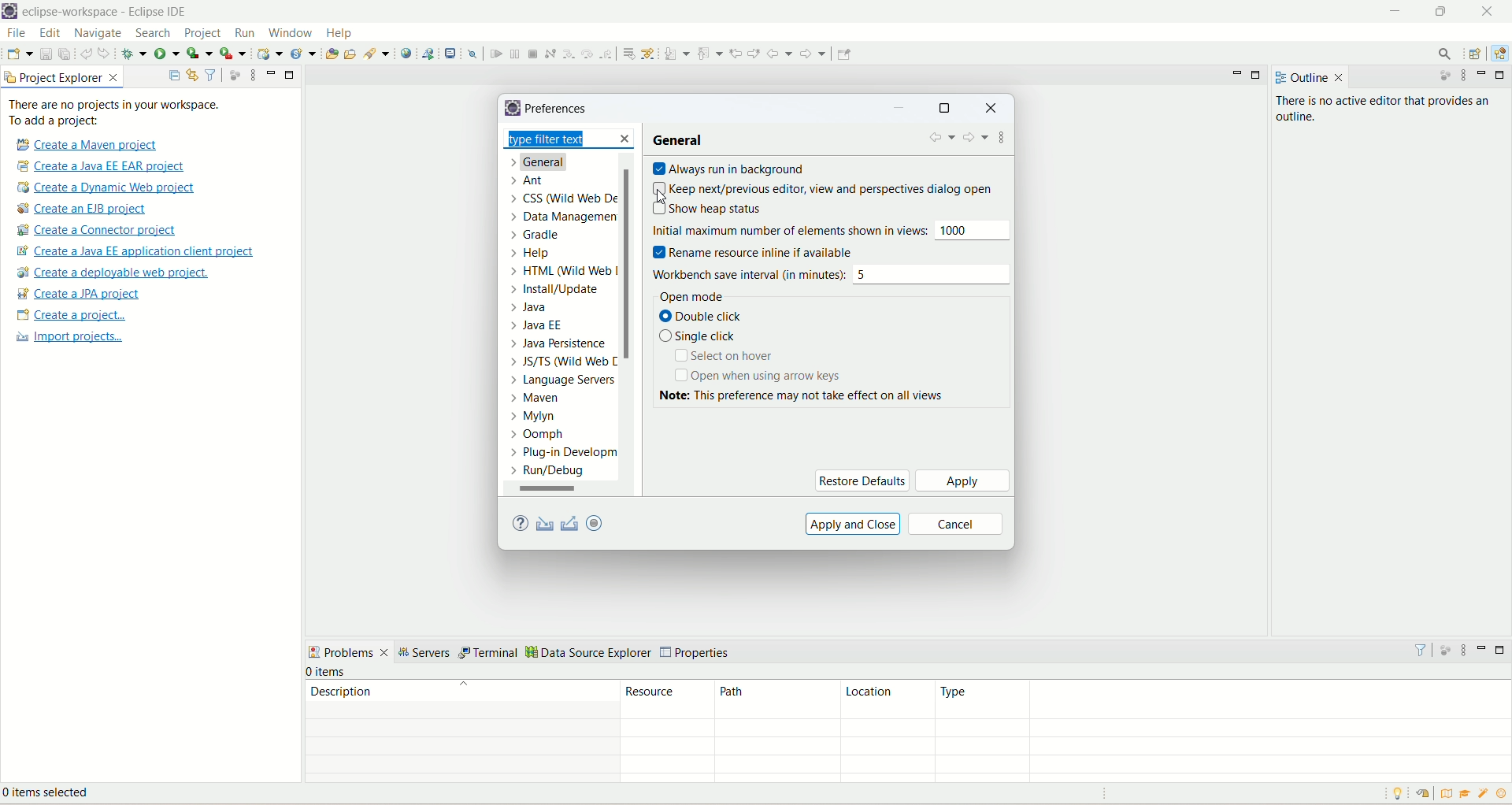 This screenshot has height=805, width=1512. I want to click on close, so click(1340, 78).